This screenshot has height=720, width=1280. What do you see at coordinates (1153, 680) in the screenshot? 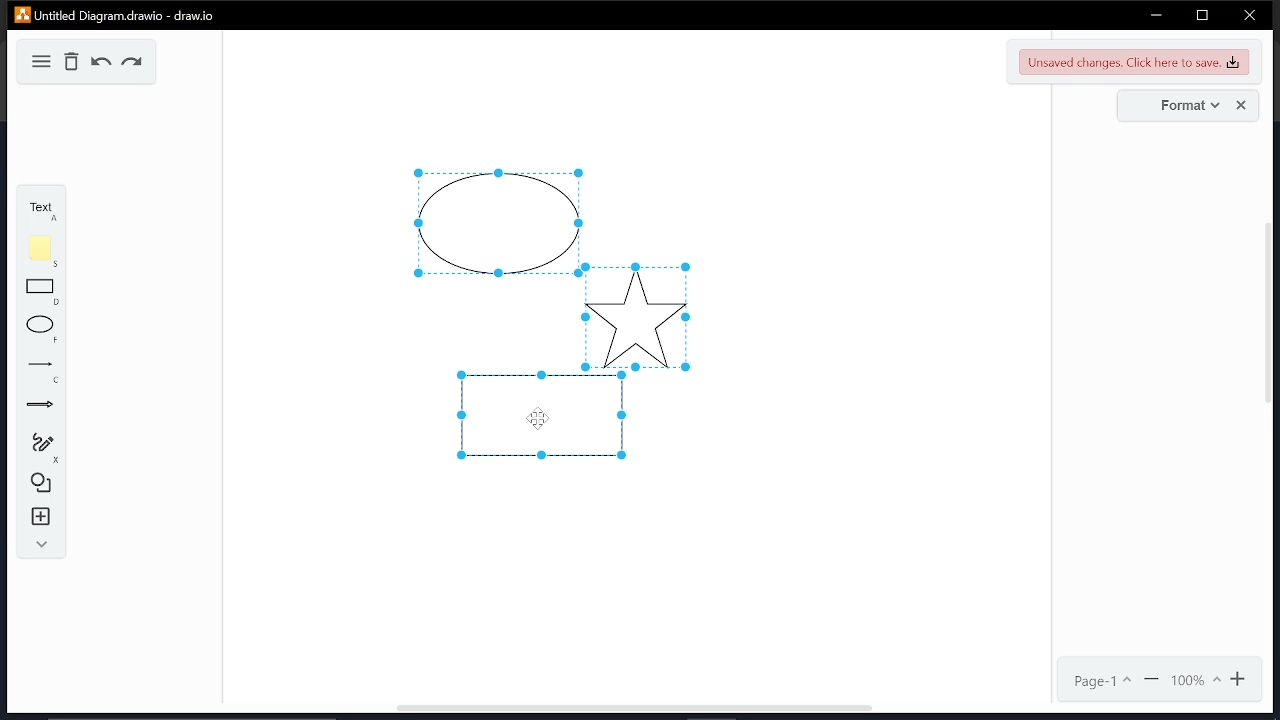
I see `zoom out` at bounding box center [1153, 680].